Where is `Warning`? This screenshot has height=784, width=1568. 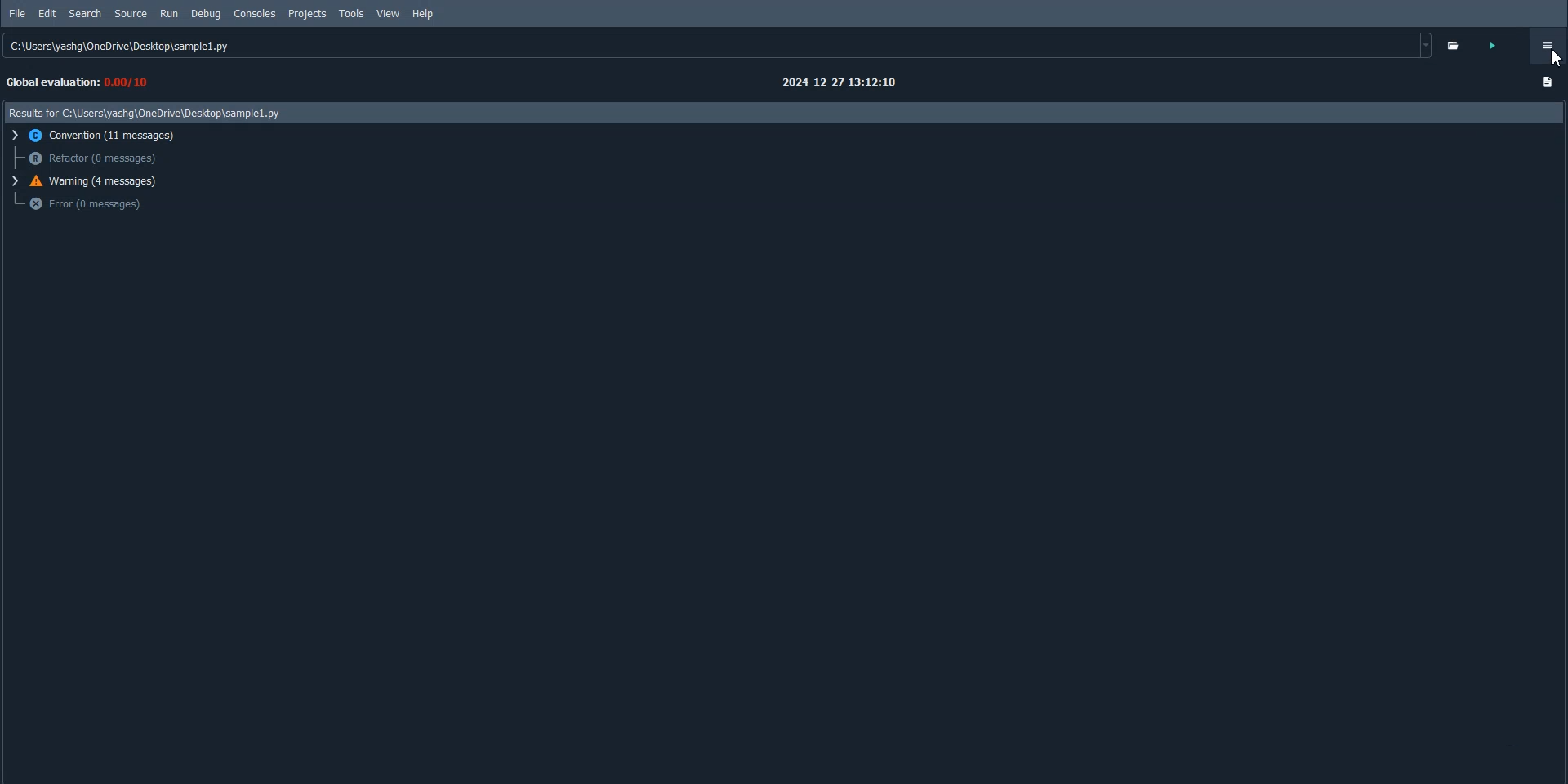 Warning is located at coordinates (91, 181).